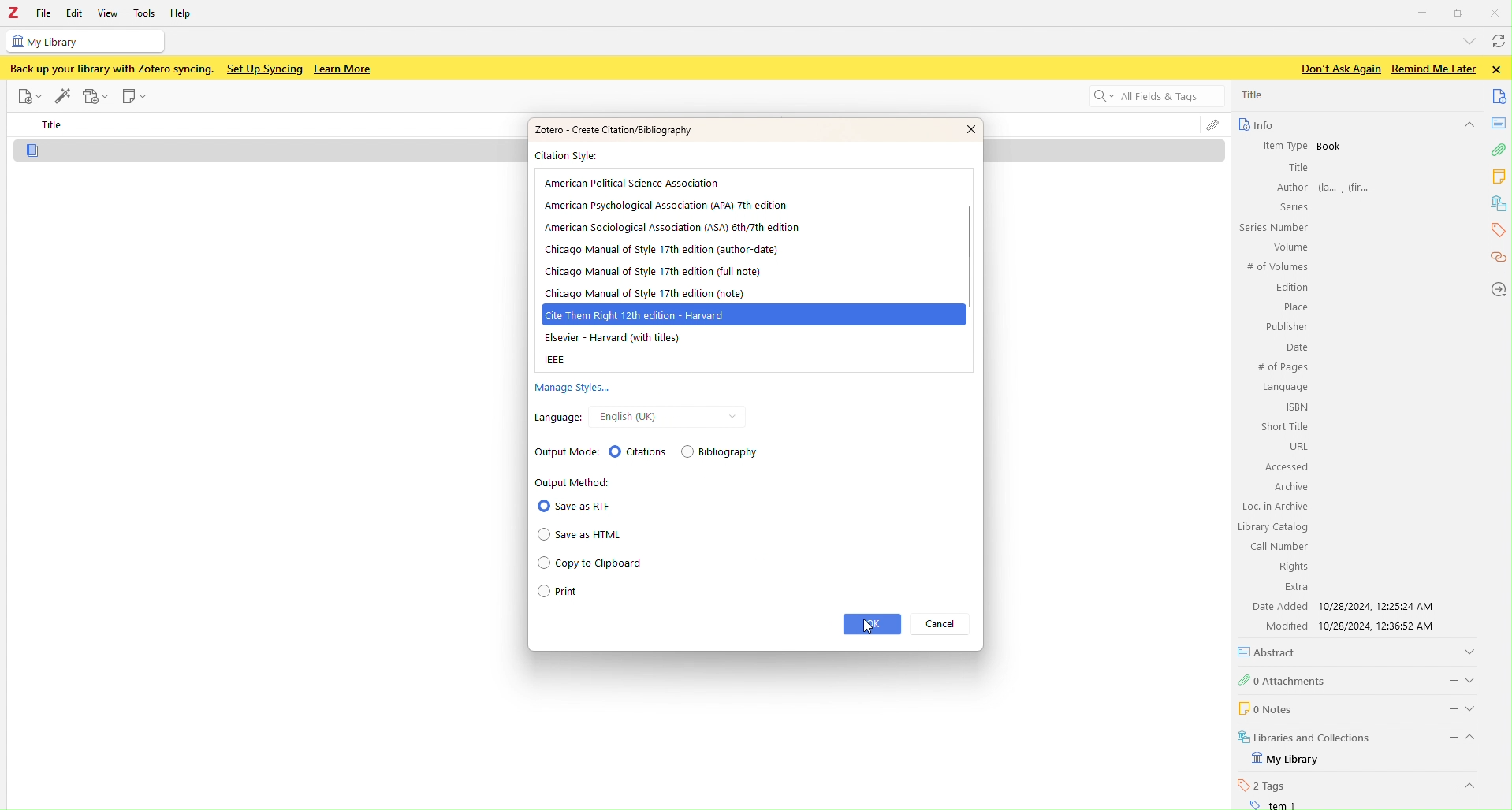 Image resolution: width=1512 pixels, height=810 pixels. Describe the element at coordinates (1291, 206) in the screenshot. I see `Series` at that location.